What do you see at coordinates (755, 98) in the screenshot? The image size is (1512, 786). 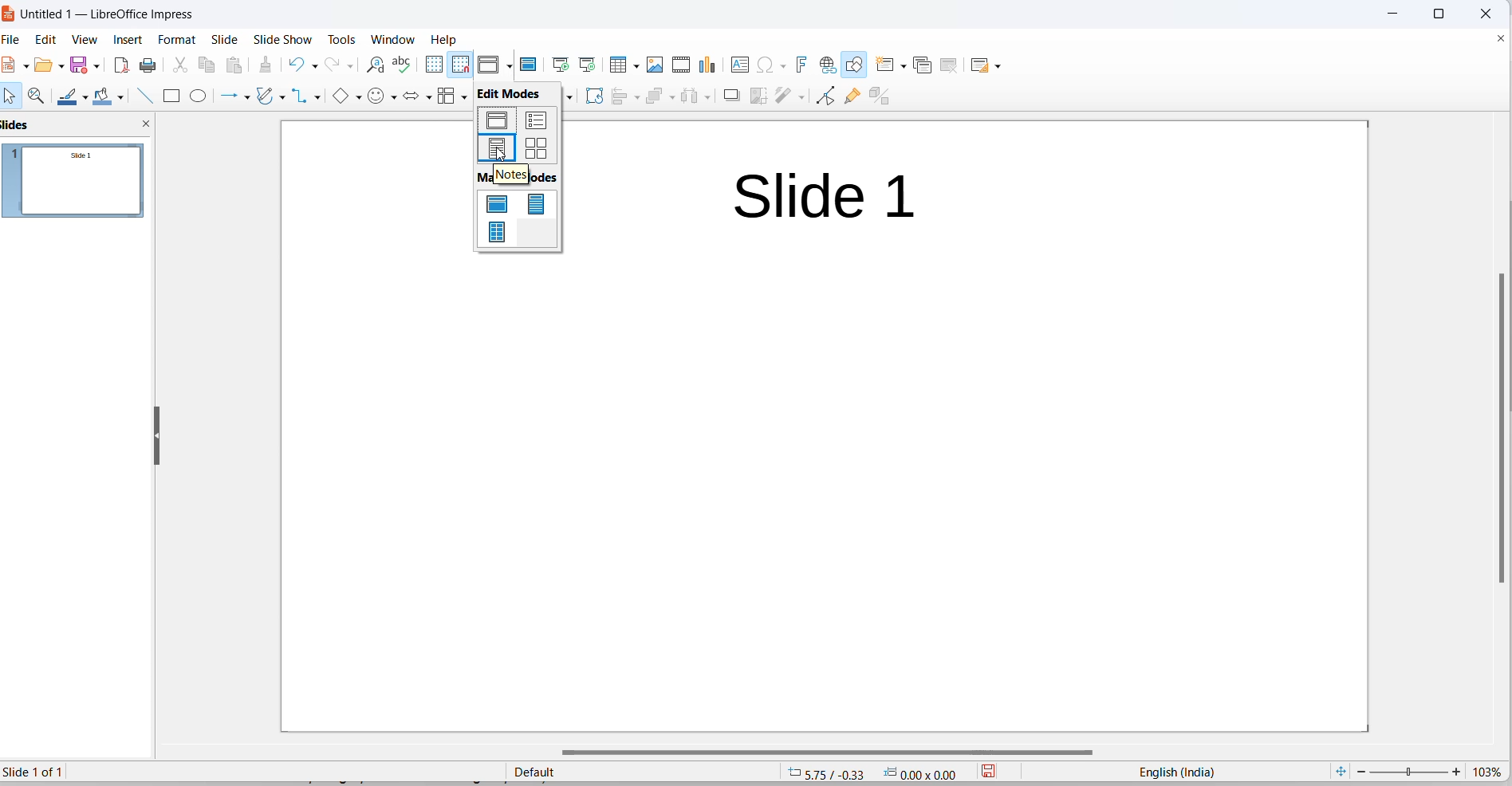 I see `crop an image` at bounding box center [755, 98].